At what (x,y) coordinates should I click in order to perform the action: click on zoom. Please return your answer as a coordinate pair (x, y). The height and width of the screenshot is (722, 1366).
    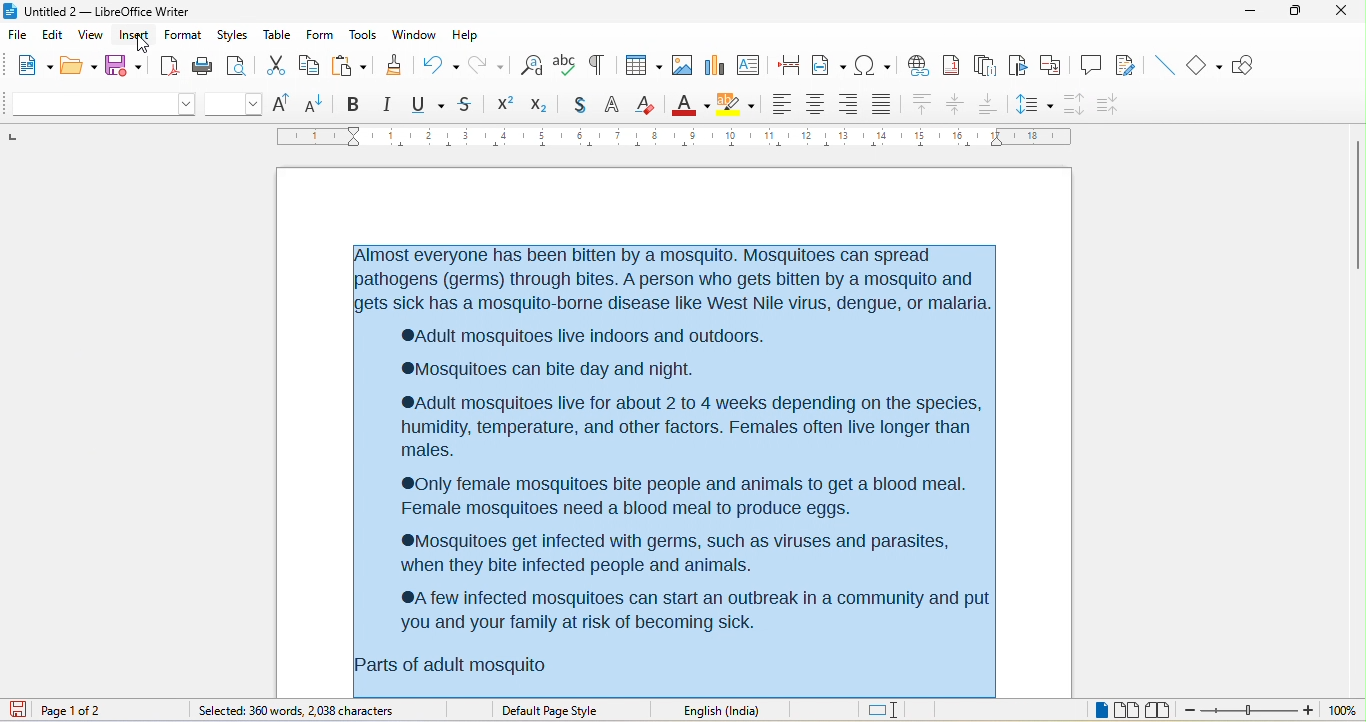
    Looking at the image, I should click on (1248, 711).